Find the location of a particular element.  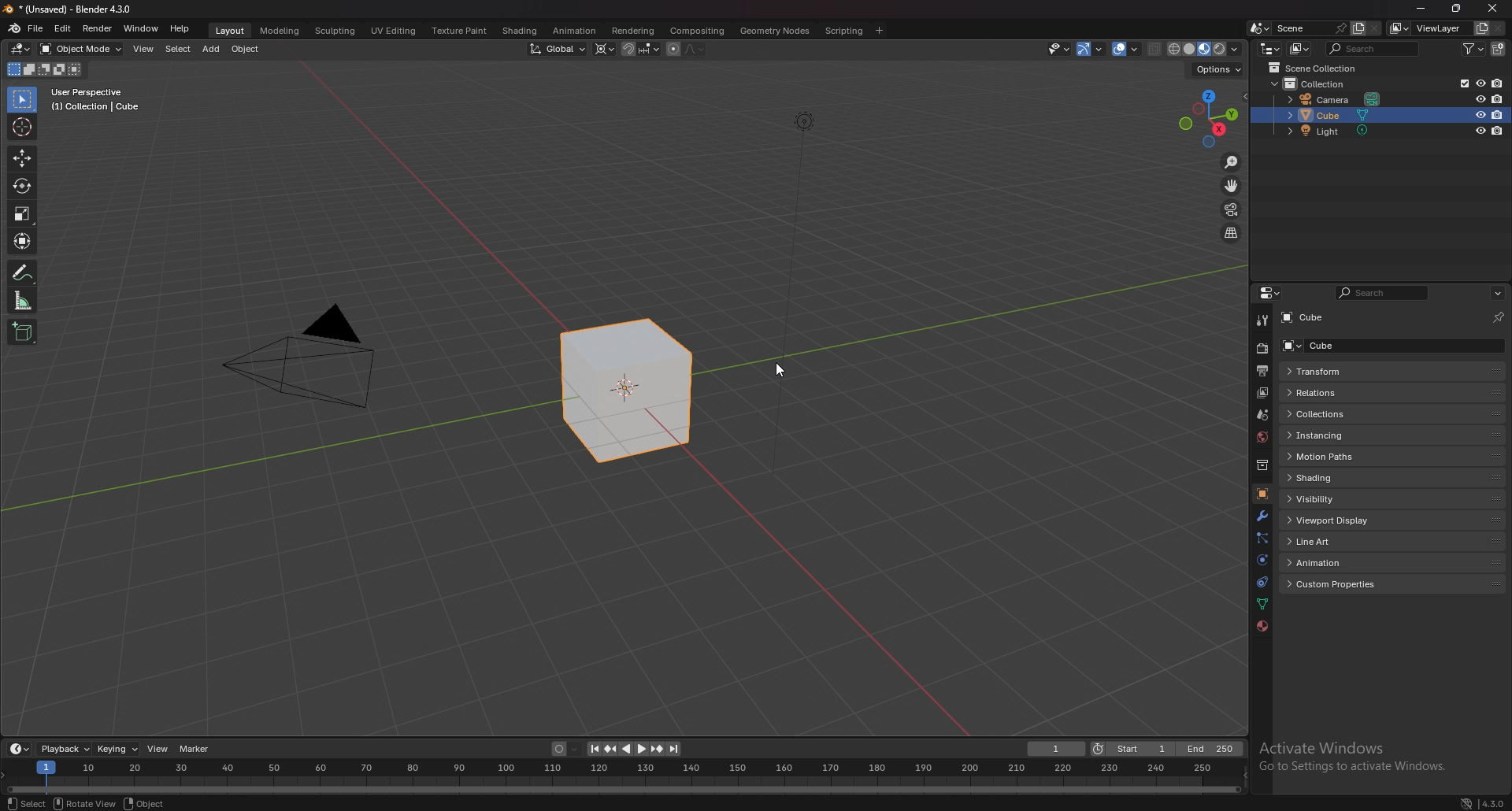

editor type is located at coordinates (20, 49).